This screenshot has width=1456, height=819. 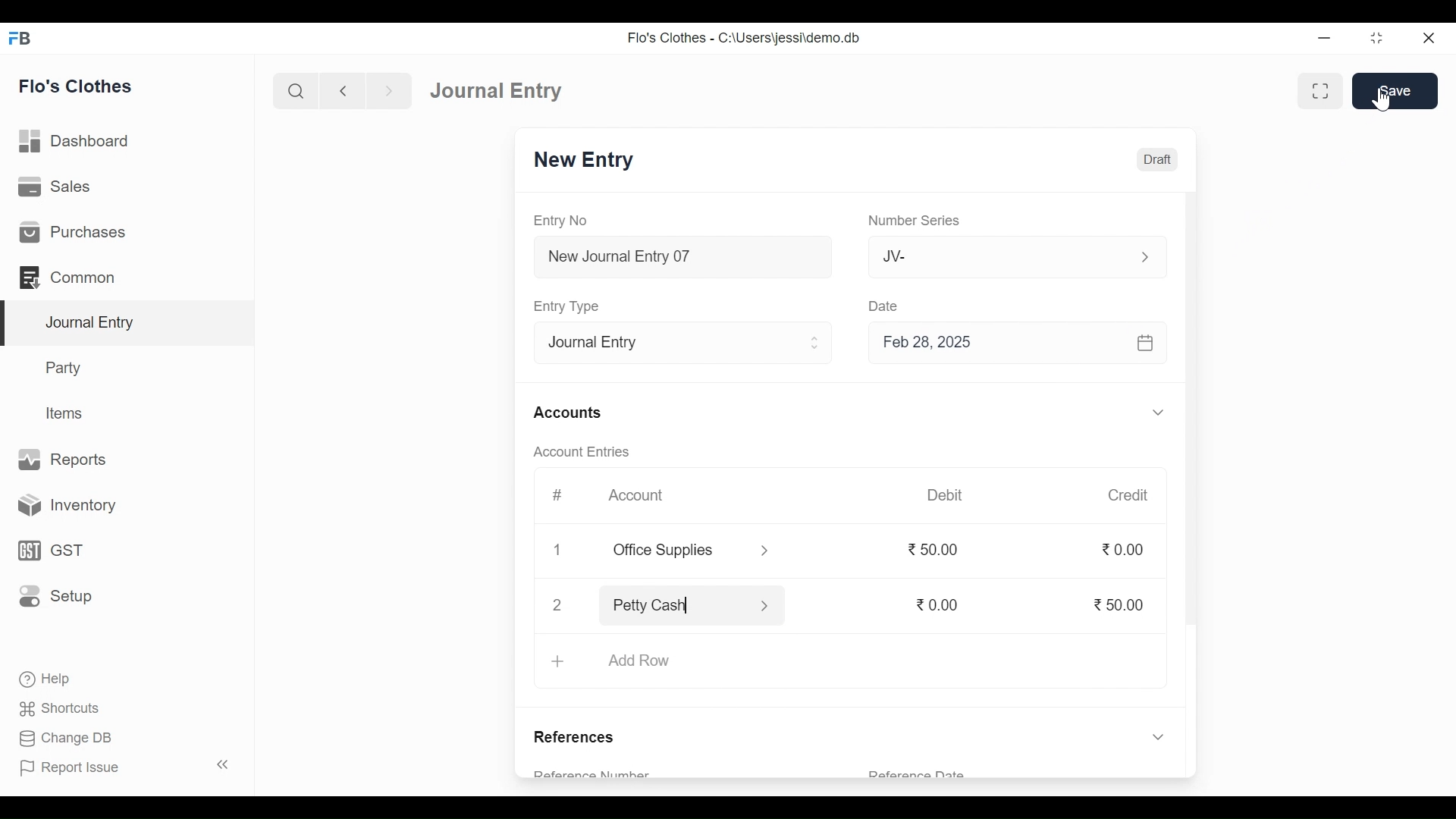 I want to click on Expand, so click(x=817, y=343).